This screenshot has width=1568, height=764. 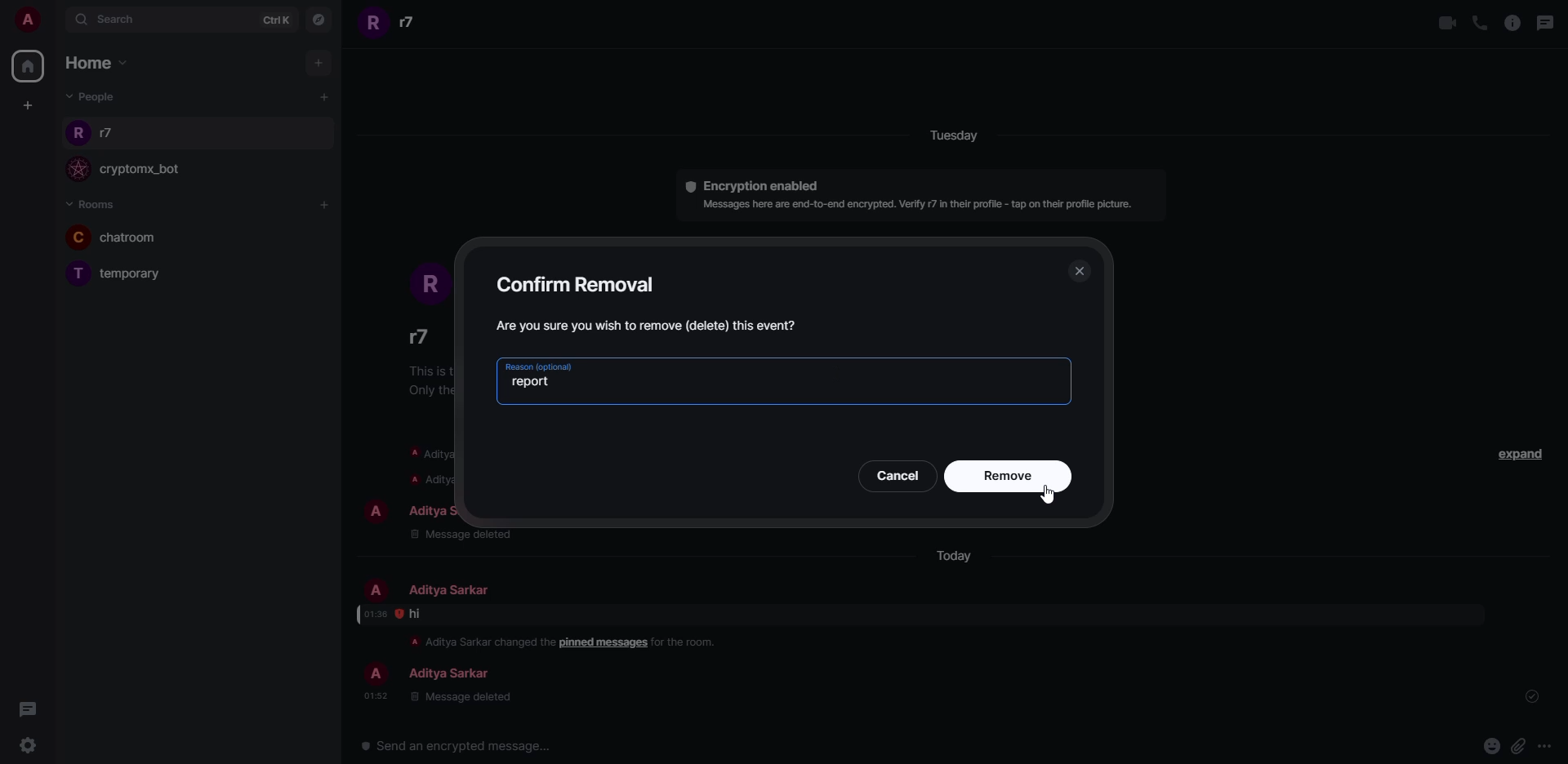 What do you see at coordinates (266, 19) in the screenshot?
I see `ctrlK` at bounding box center [266, 19].